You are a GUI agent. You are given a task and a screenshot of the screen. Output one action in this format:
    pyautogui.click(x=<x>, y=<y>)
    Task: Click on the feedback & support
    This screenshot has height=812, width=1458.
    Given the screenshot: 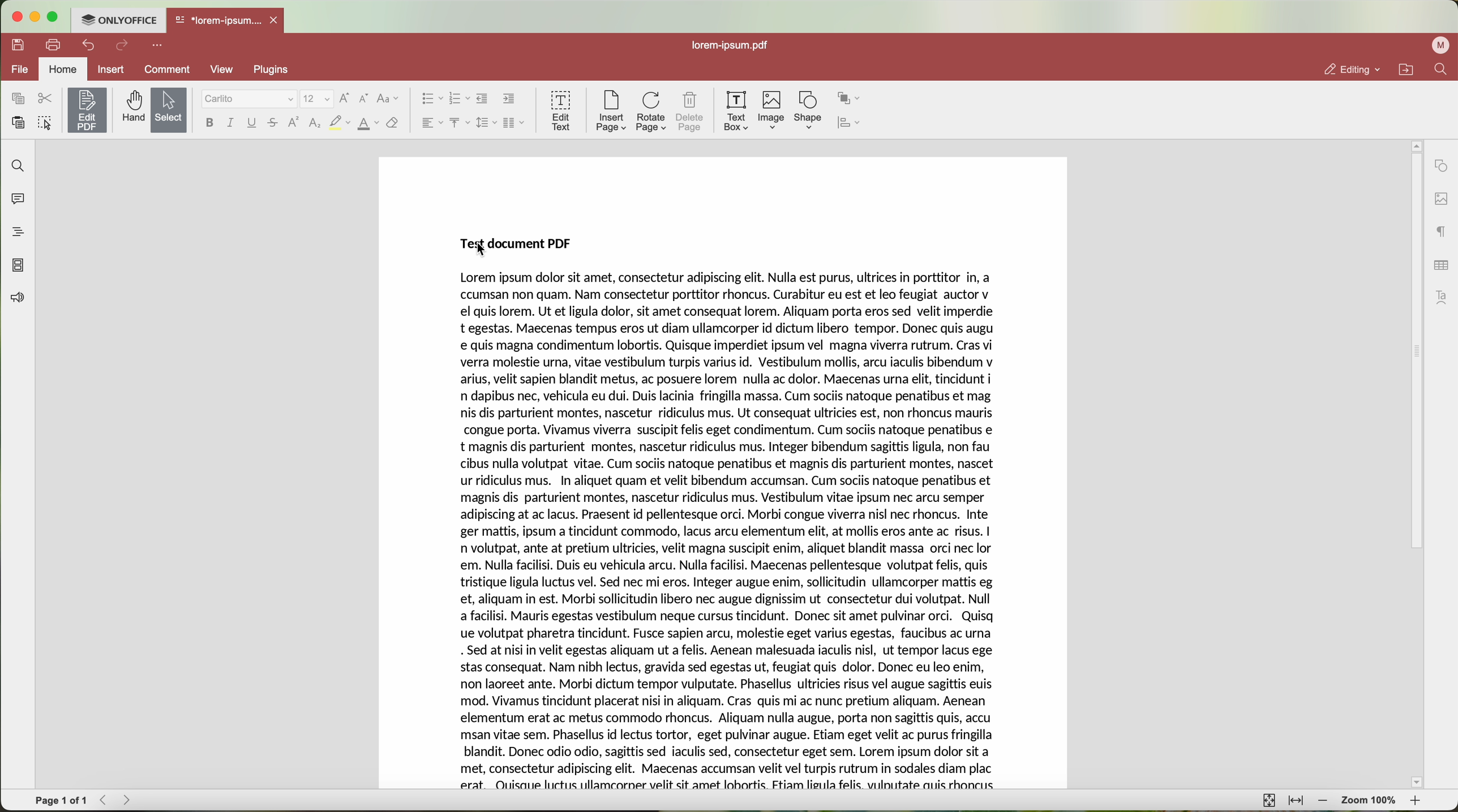 What is the action you would take?
    pyautogui.click(x=15, y=299)
    